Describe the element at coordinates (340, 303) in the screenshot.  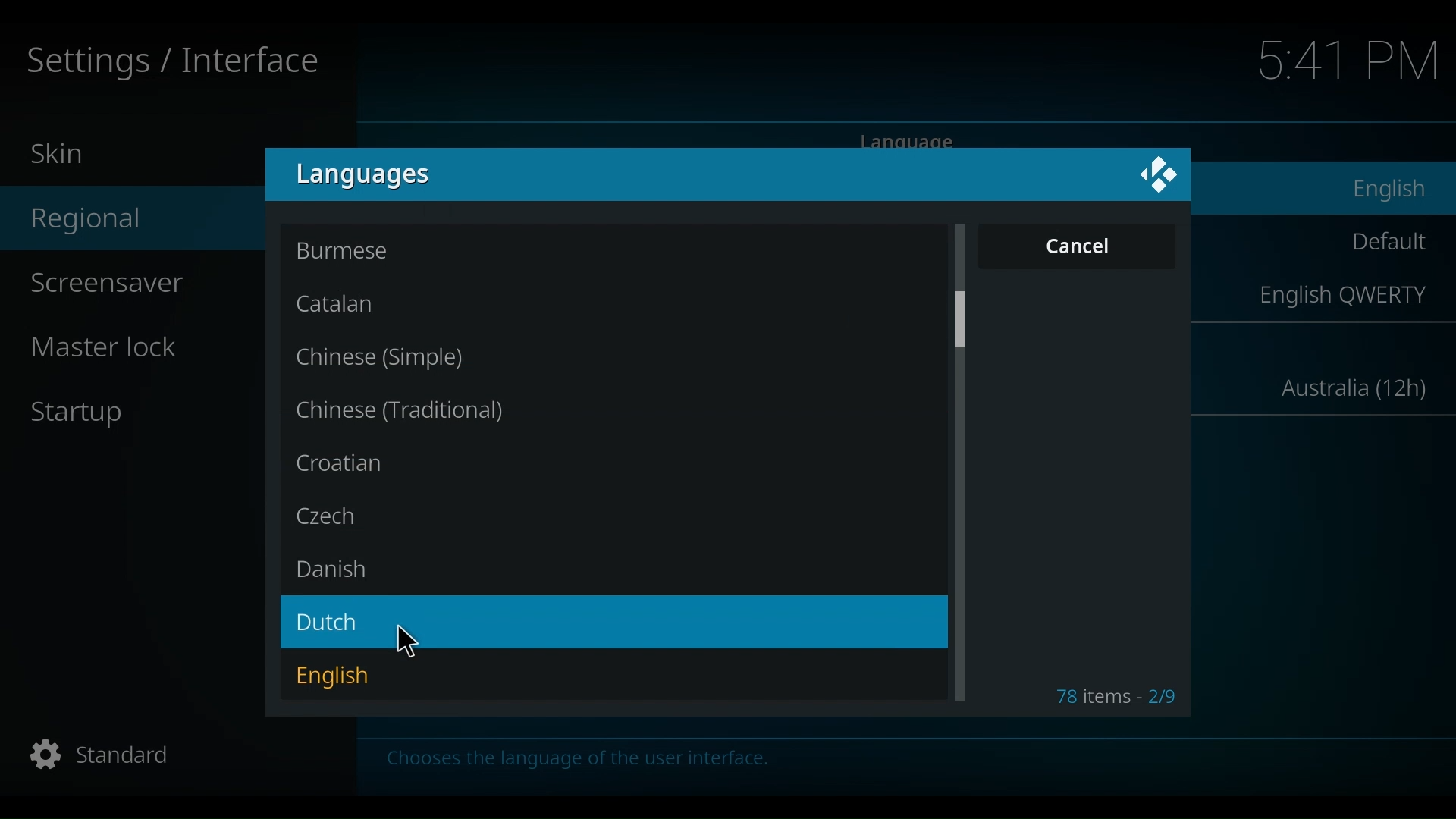
I see `Catalan` at that location.